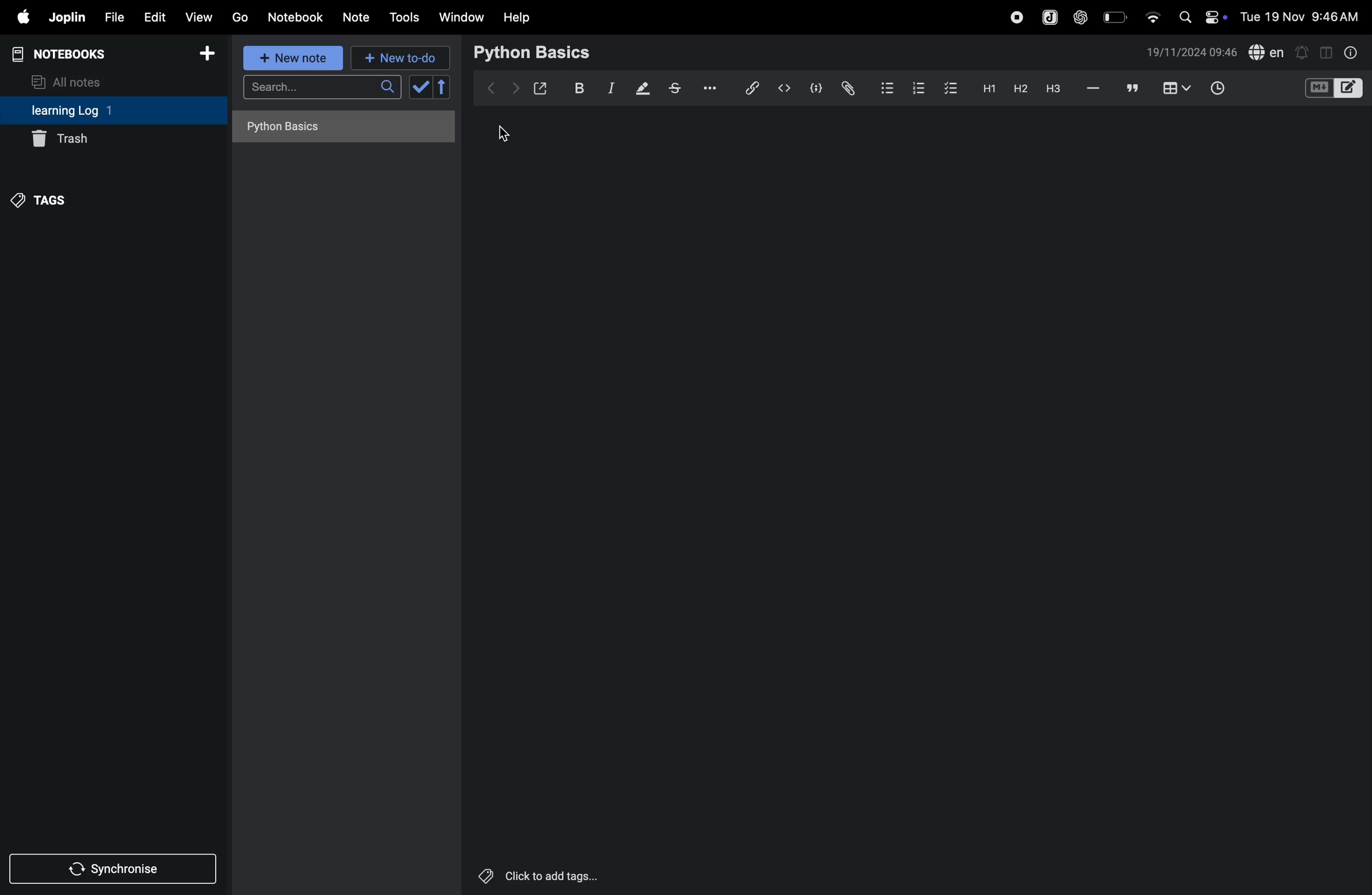 This screenshot has height=895, width=1372. Describe the element at coordinates (885, 87) in the screenshot. I see `bullet list` at that location.